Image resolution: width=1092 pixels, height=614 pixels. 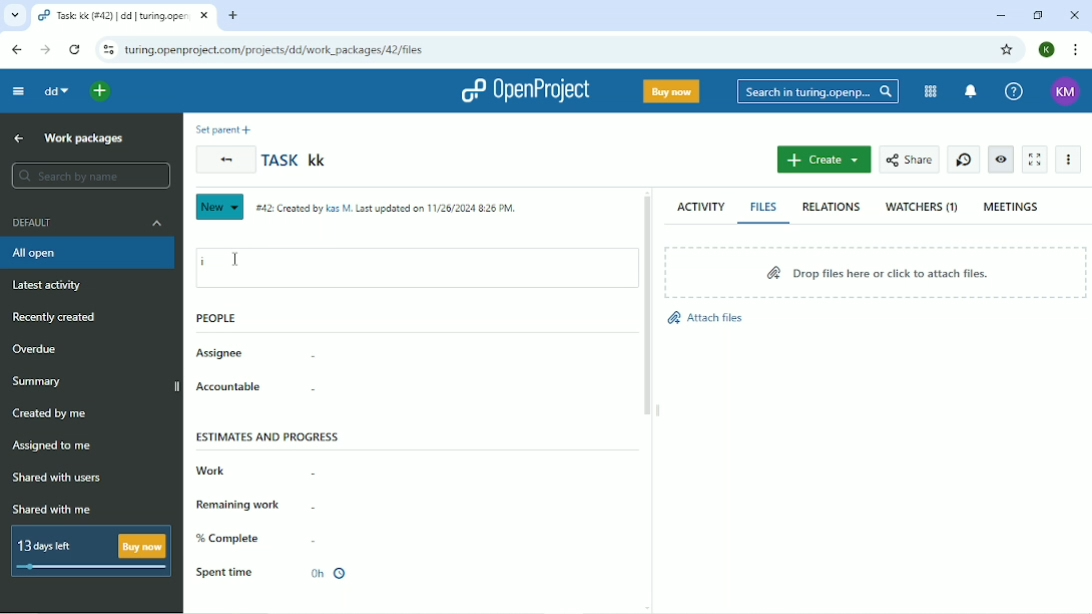 I want to click on Collapse project menu, so click(x=19, y=91).